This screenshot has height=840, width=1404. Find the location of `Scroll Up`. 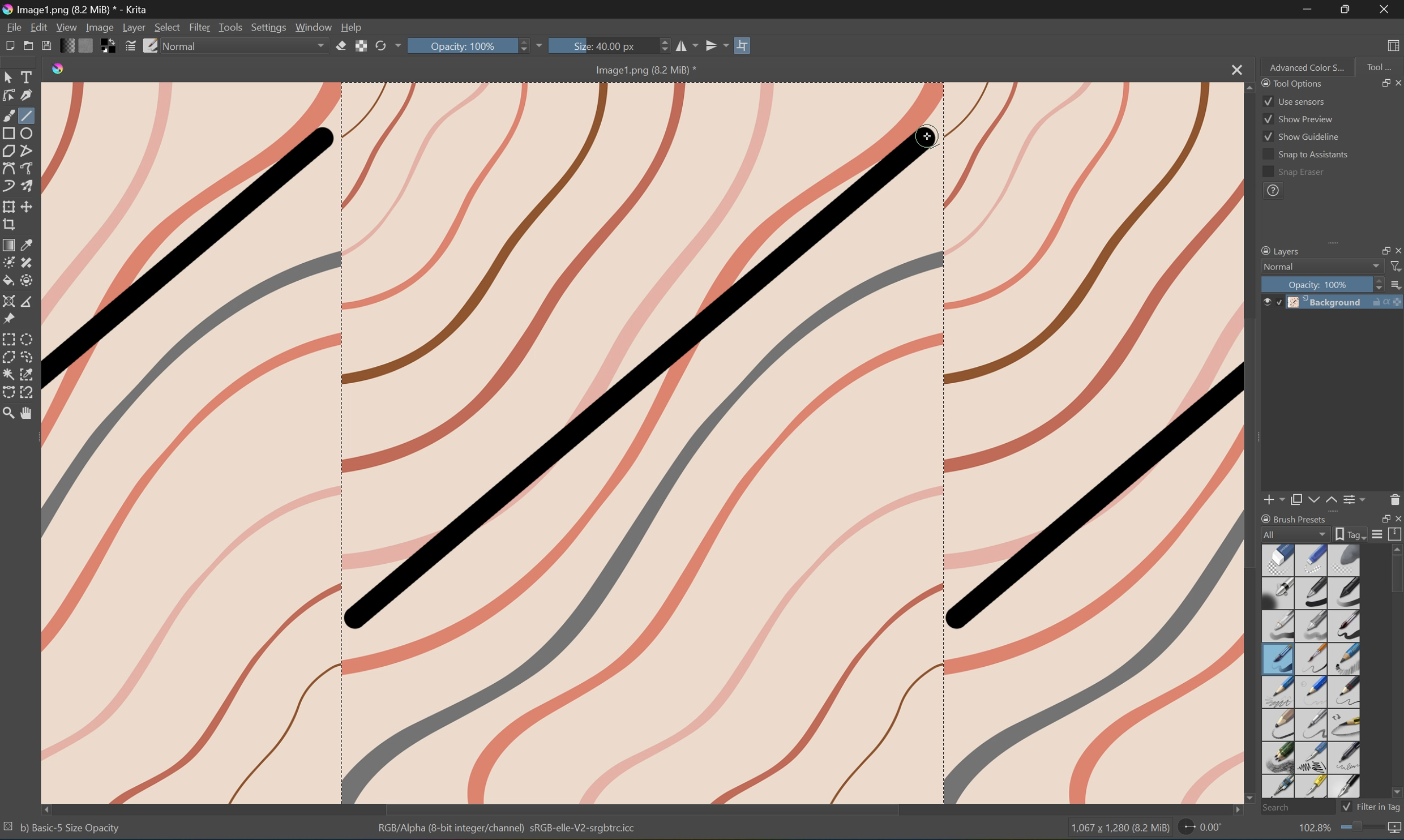

Scroll Up is located at coordinates (1396, 548).